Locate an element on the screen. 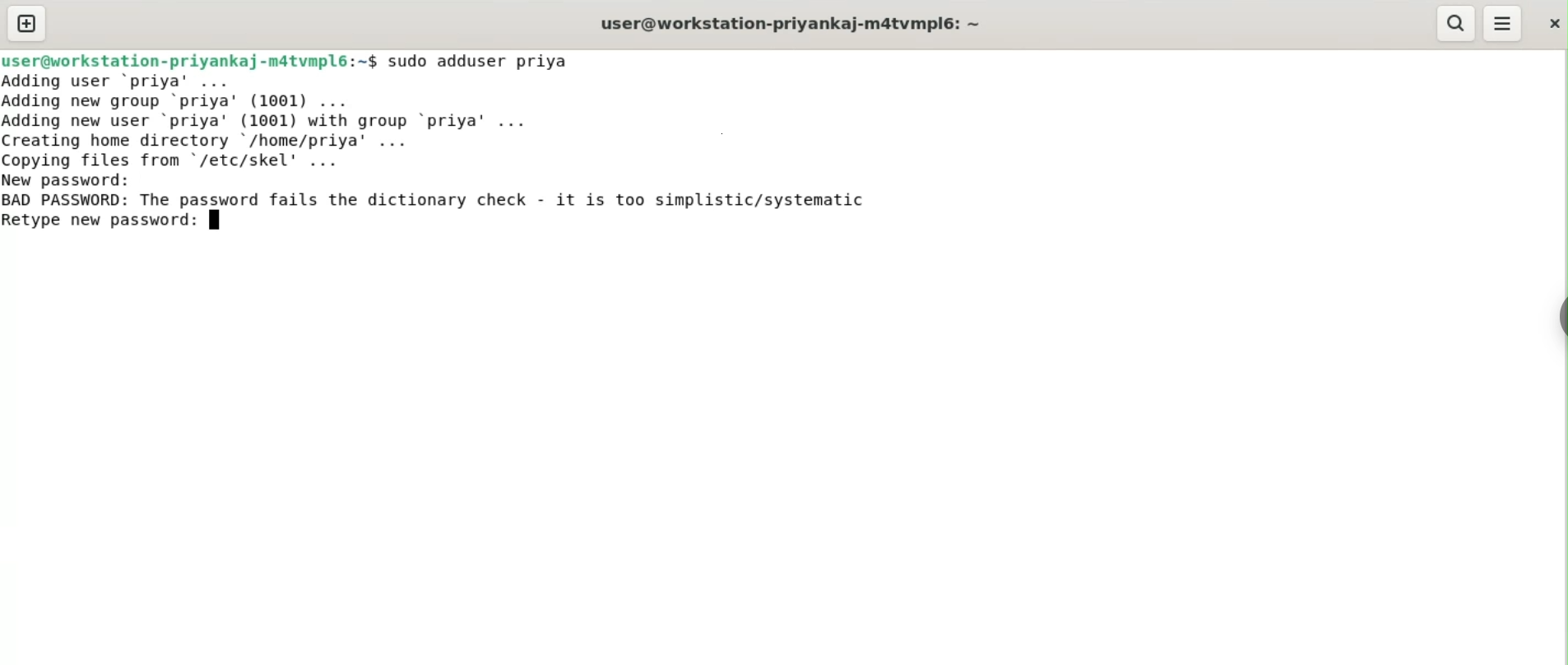  sudo adduser priya is located at coordinates (489, 61).